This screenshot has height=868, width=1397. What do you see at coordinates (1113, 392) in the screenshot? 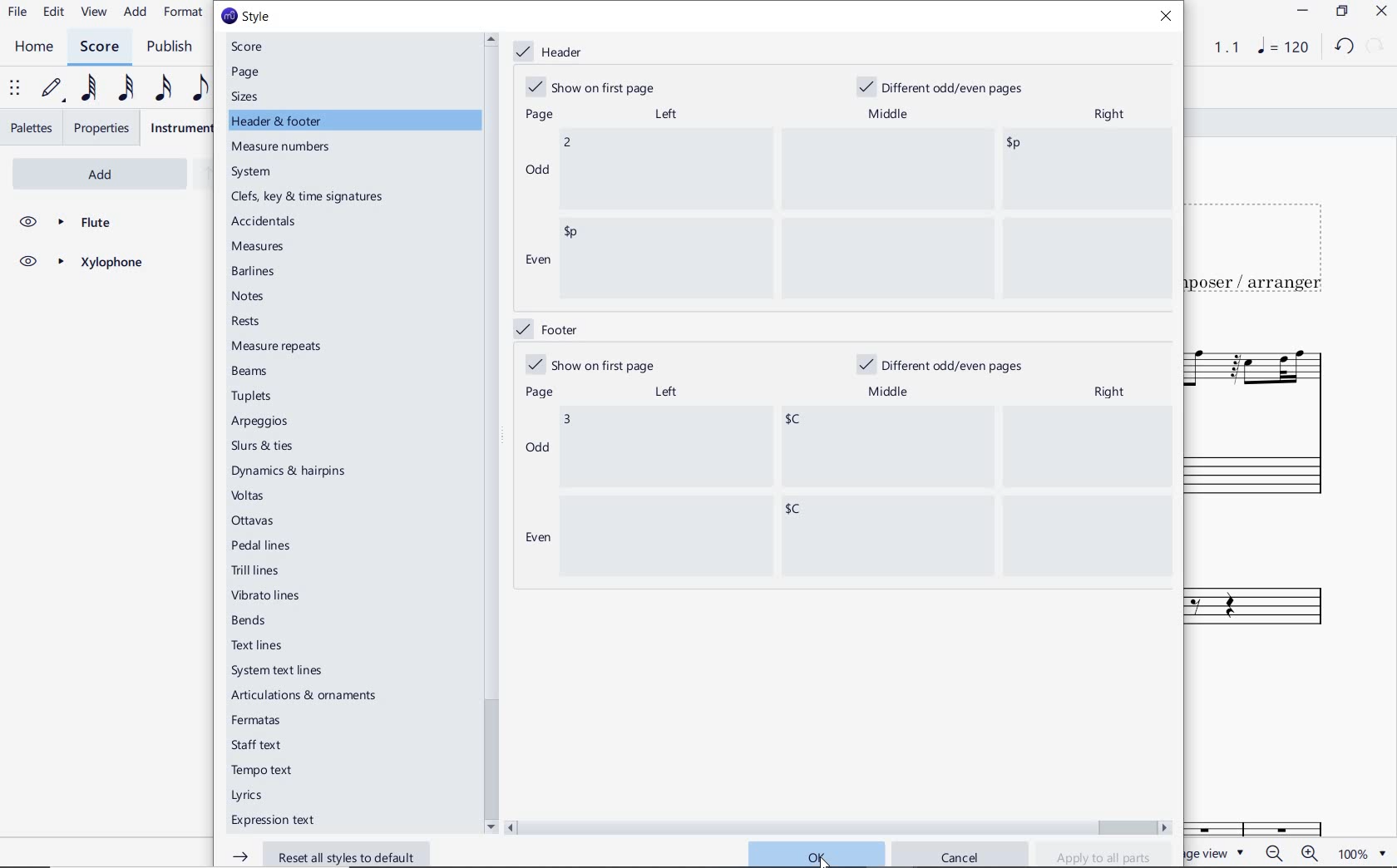
I see `right` at bounding box center [1113, 392].